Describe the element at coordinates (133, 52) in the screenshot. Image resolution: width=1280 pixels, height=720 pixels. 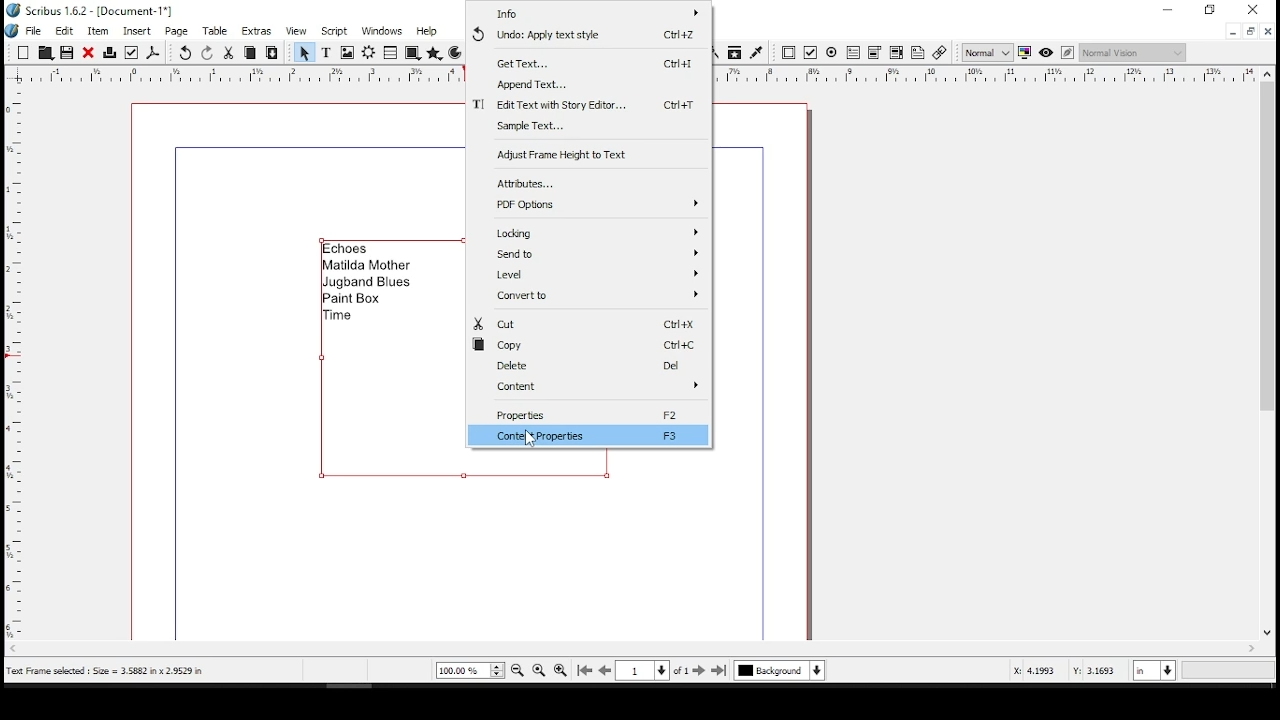
I see `preflight verifier` at that location.